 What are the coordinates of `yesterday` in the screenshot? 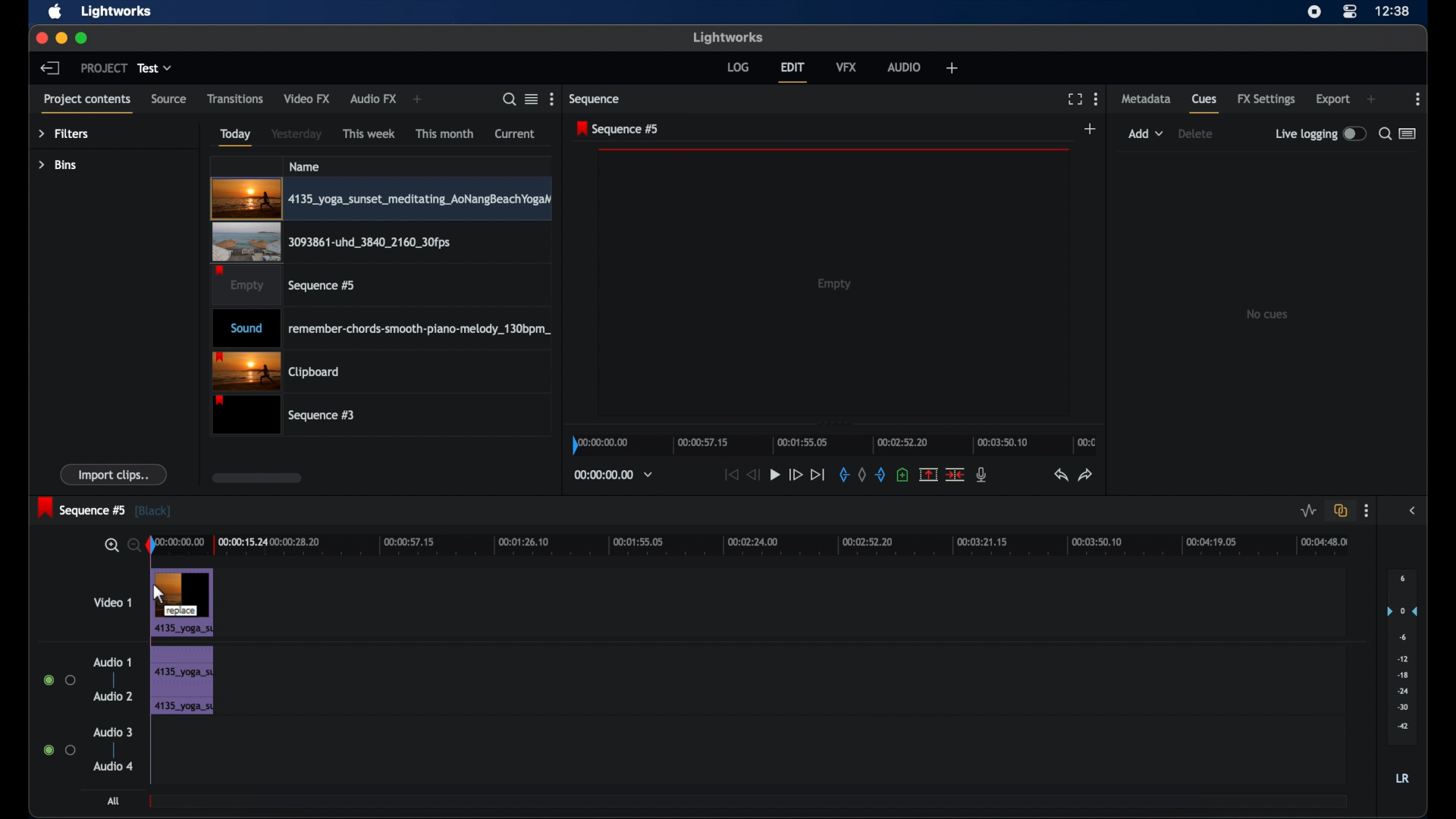 It's located at (297, 133).